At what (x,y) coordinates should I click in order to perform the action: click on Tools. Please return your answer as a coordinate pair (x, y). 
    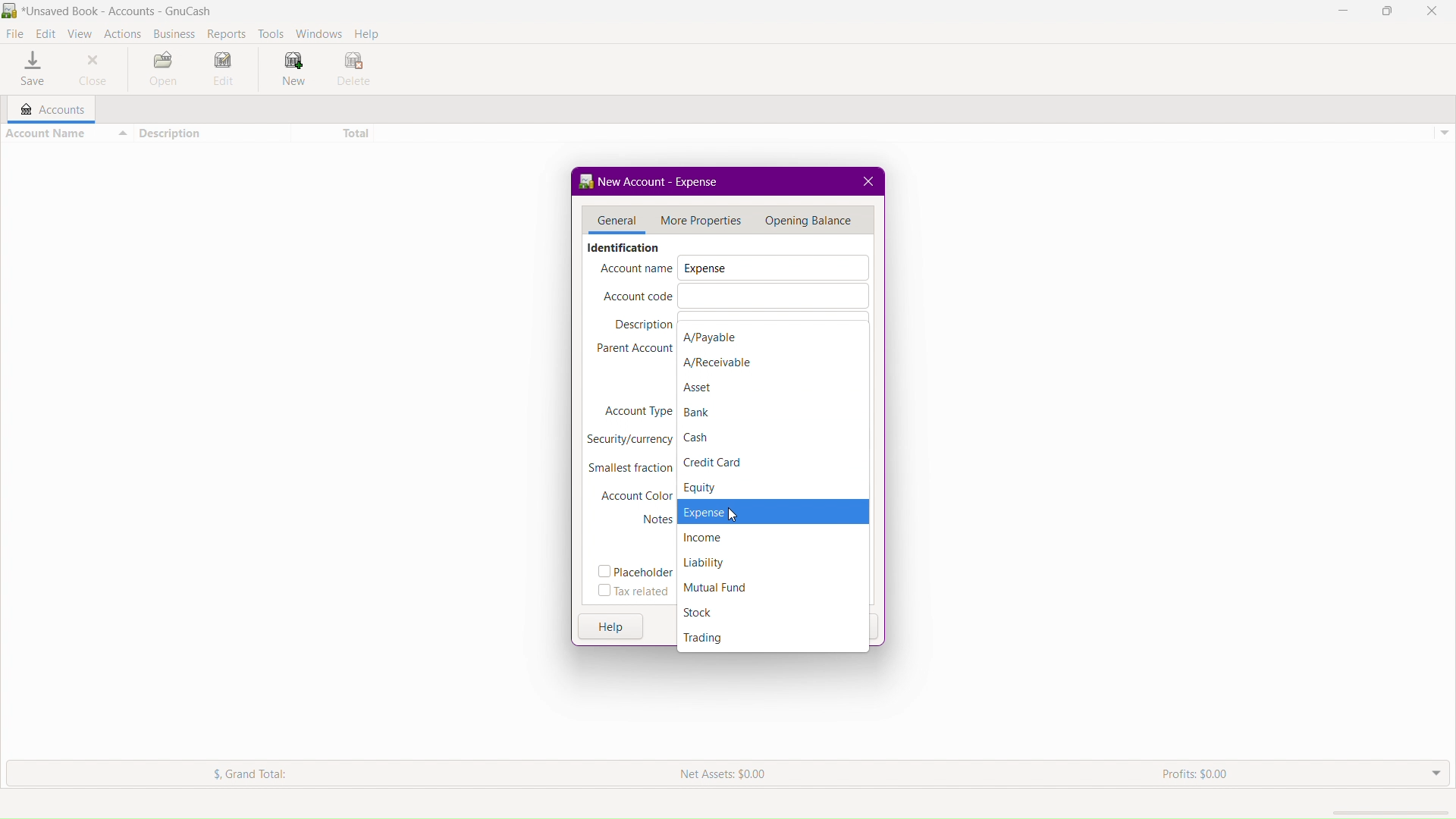
    Looking at the image, I should click on (269, 31).